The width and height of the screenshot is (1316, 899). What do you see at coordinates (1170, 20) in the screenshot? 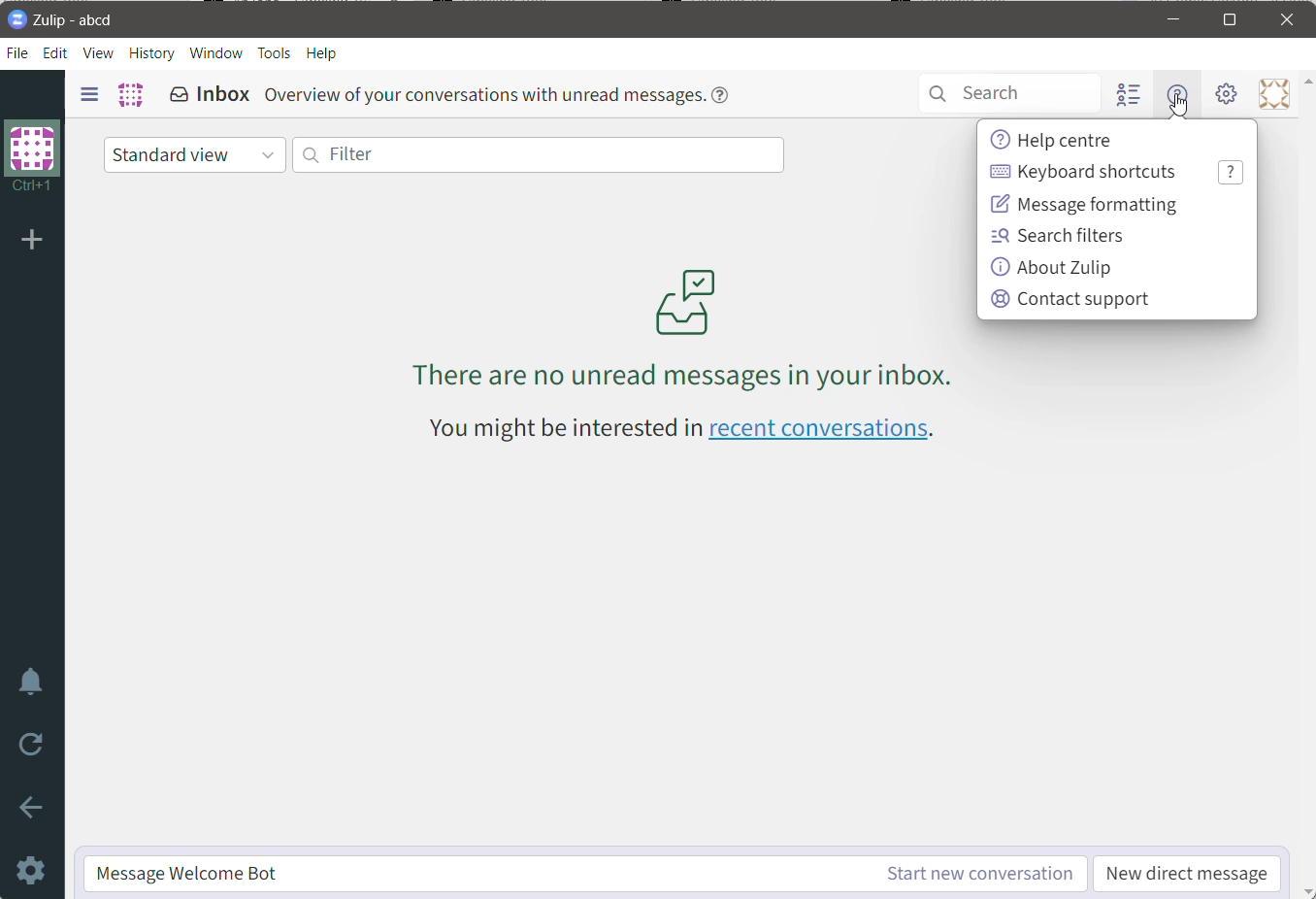
I see `Minimize` at bounding box center [1170, 20].